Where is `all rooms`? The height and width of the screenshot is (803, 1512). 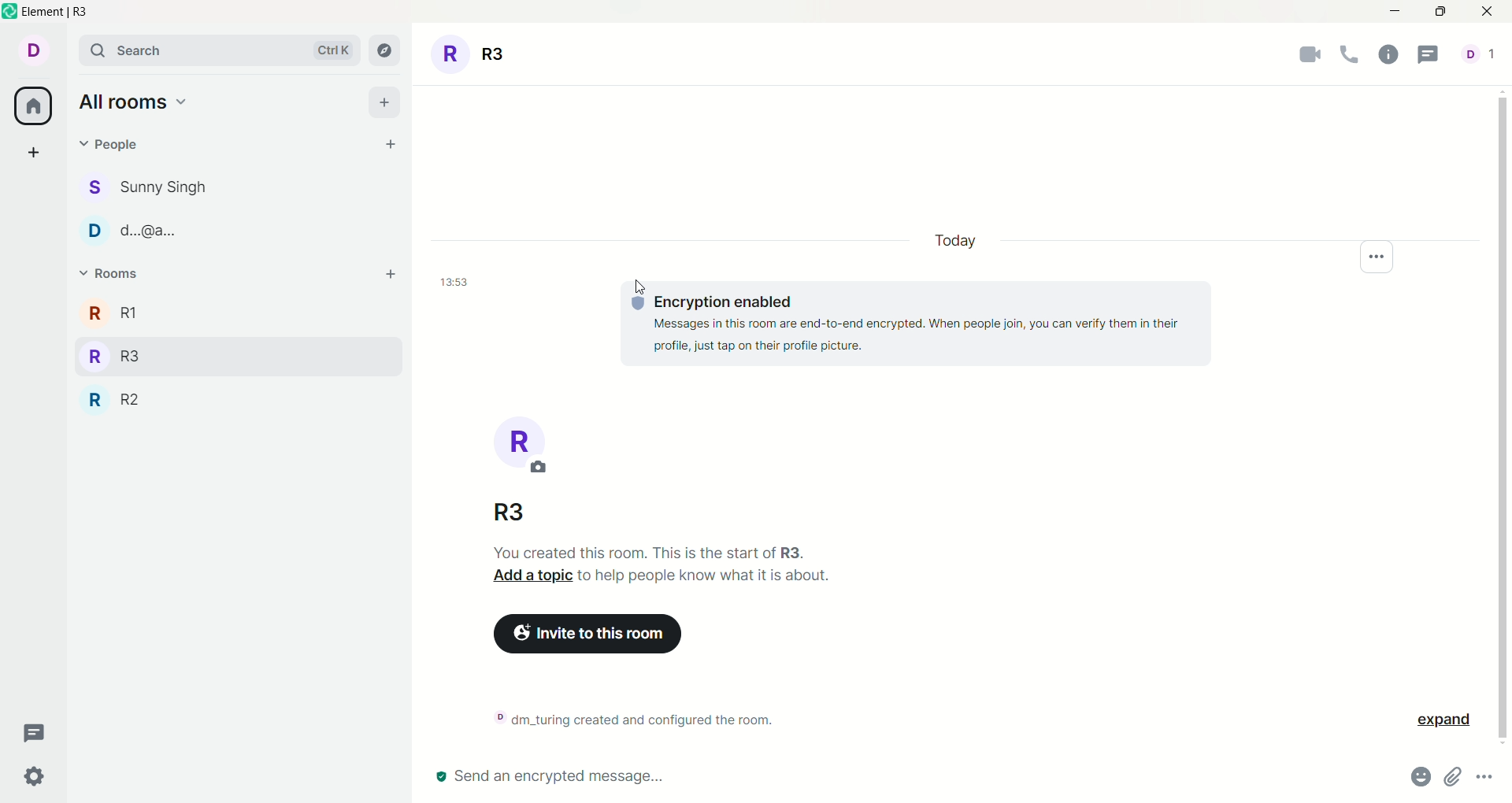 all rooms is located at coordinates (134, 102).